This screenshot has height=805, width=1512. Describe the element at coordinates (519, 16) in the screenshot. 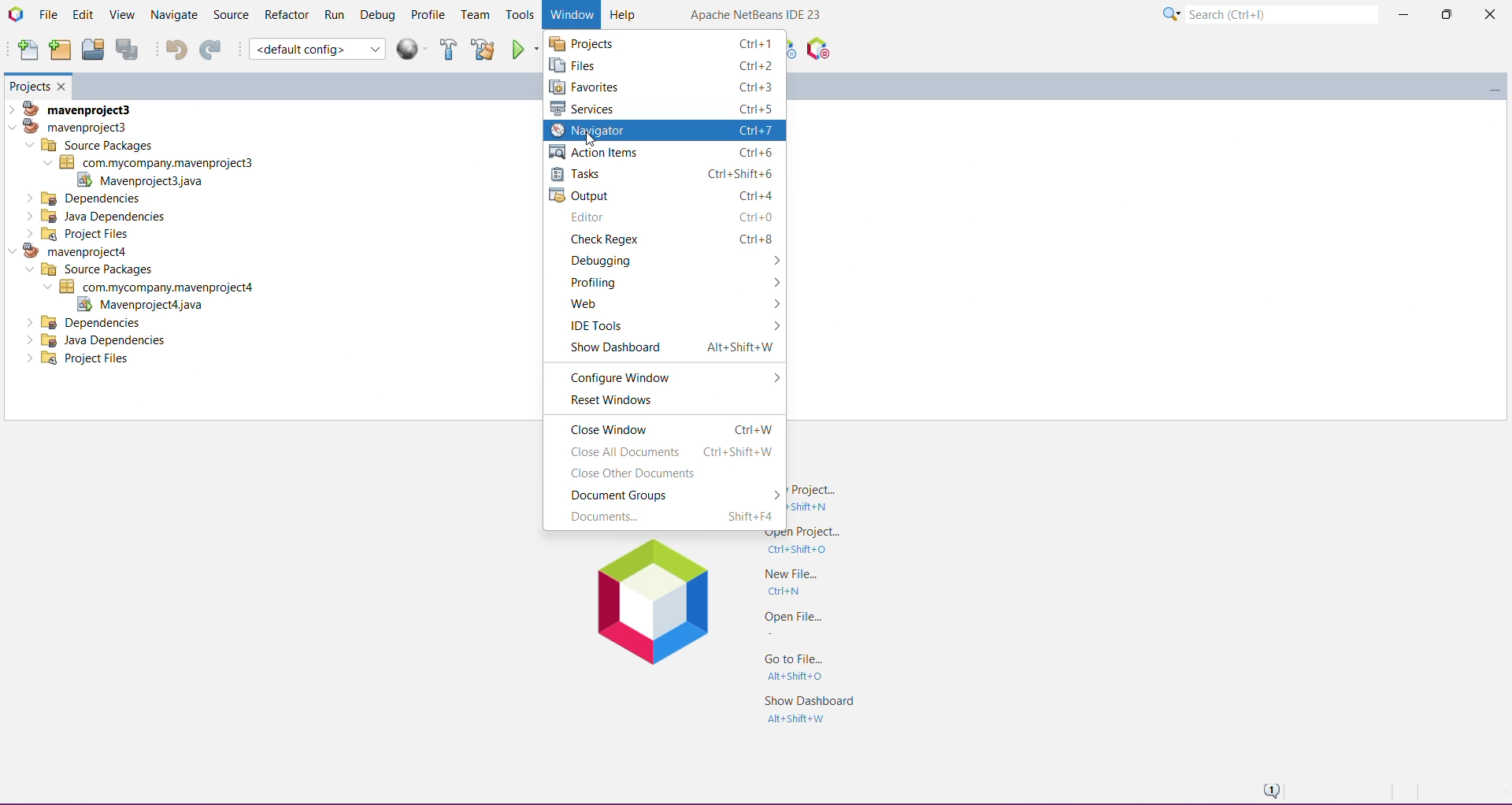

I see `Tools` at that location.